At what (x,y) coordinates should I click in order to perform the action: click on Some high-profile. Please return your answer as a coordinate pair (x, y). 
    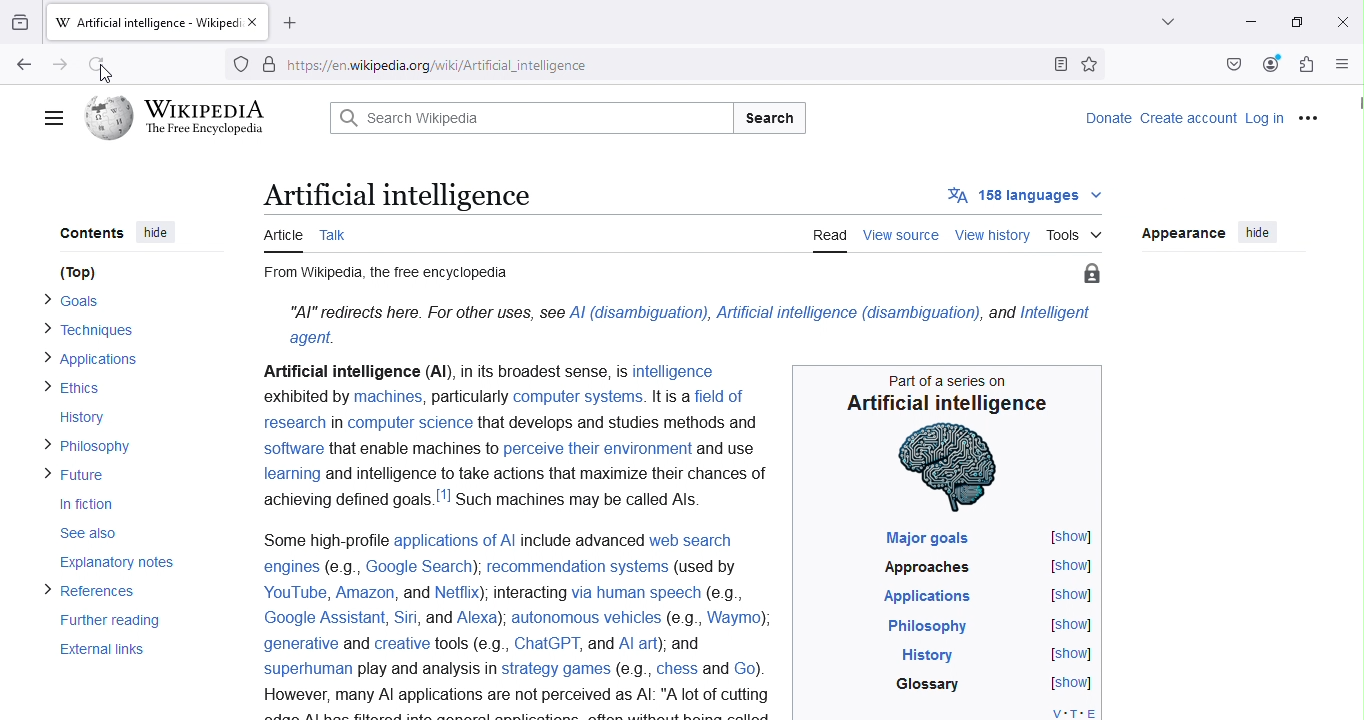
    Looking at the image, I should click on (317, 542).